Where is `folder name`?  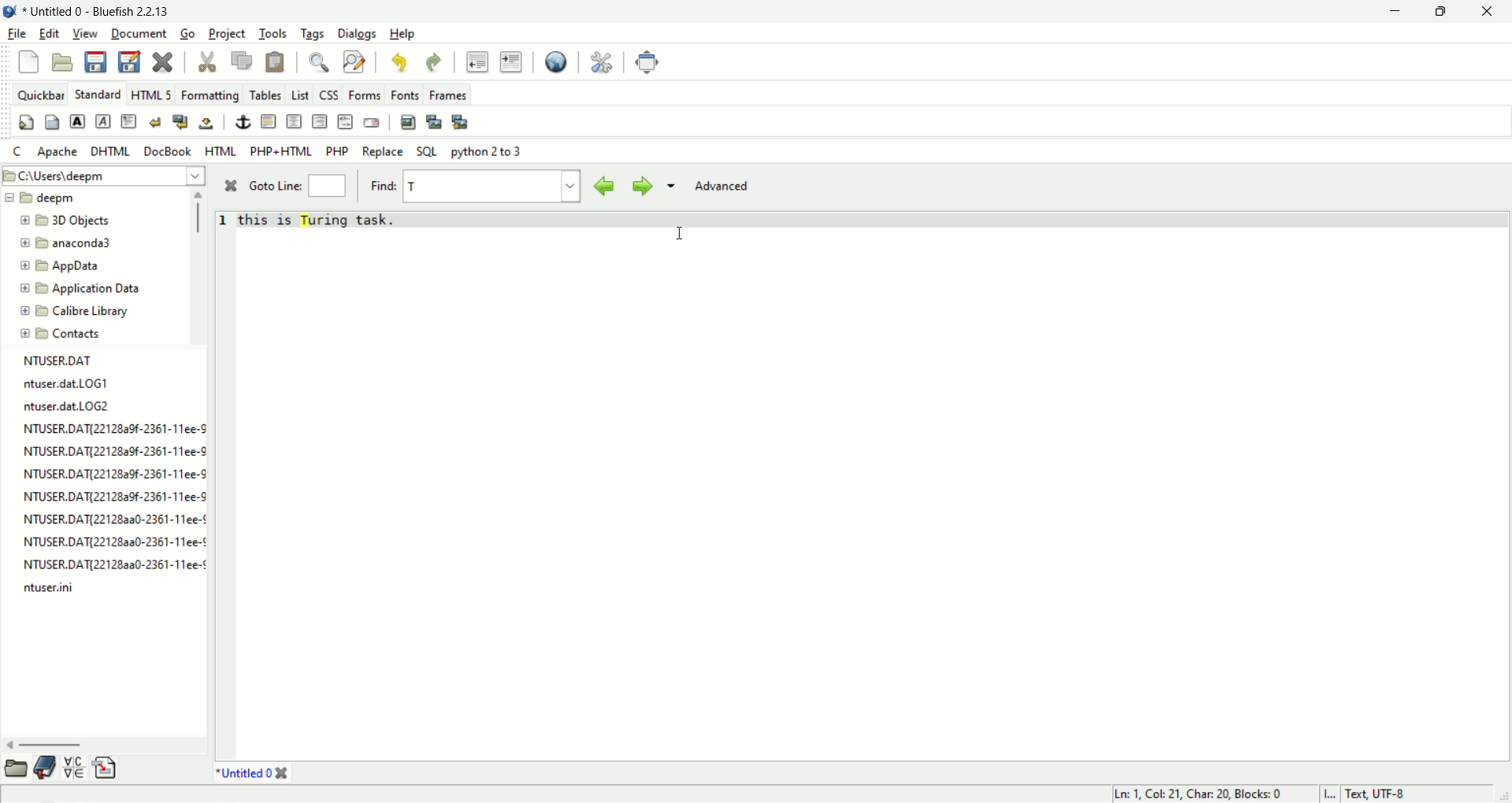
folder name is located at coordinates (83, 289).